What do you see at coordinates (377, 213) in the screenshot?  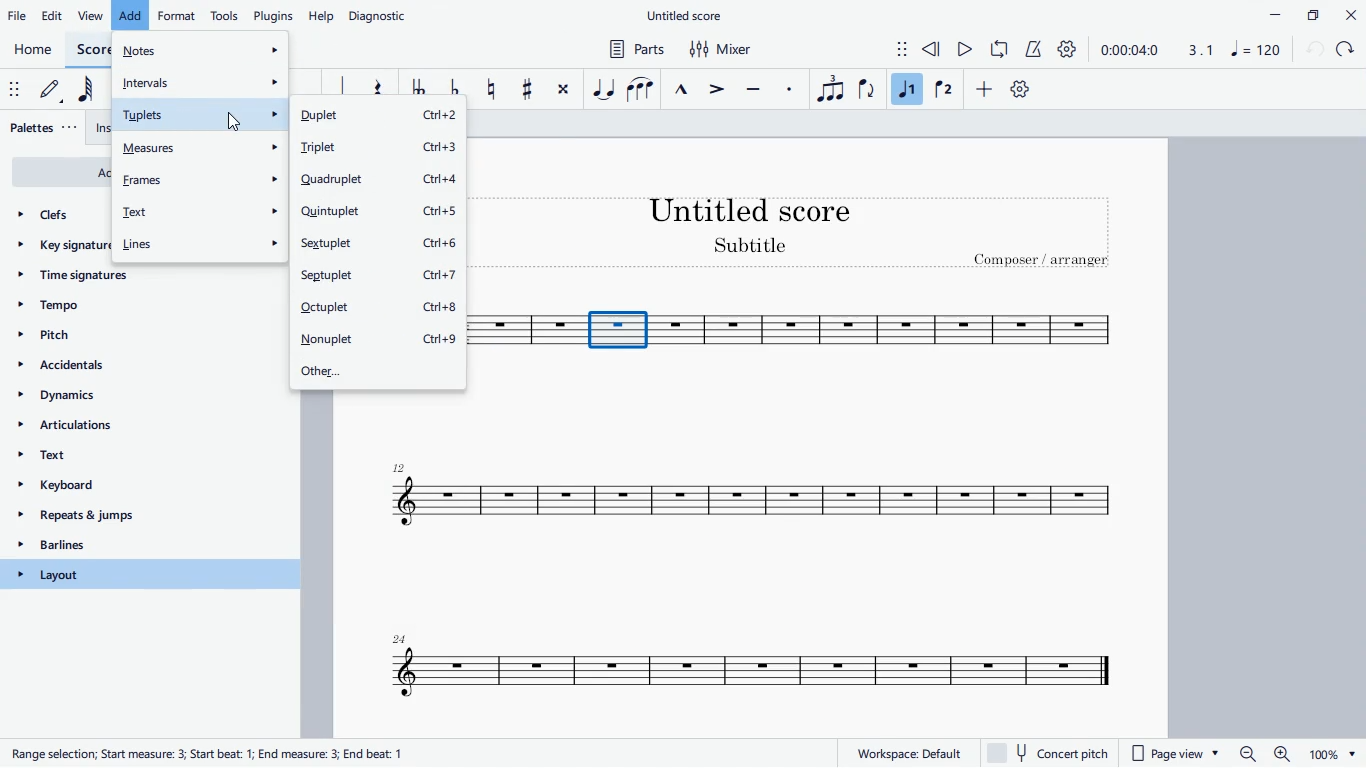 I see `quintuplet` at bounding box center [377, 213].